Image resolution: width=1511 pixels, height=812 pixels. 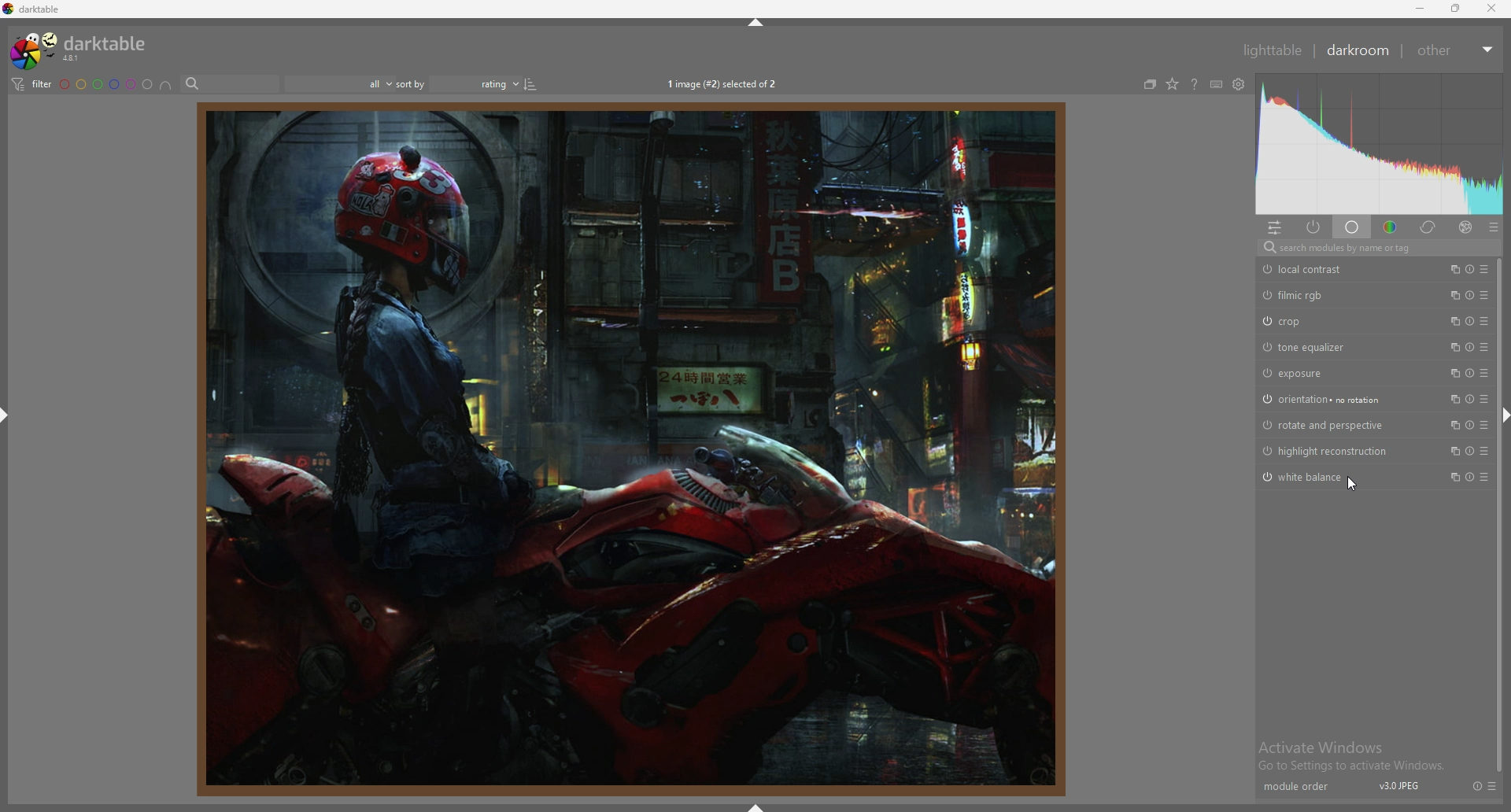 I want to click on filter by images rating, so click(x=339, y=83).